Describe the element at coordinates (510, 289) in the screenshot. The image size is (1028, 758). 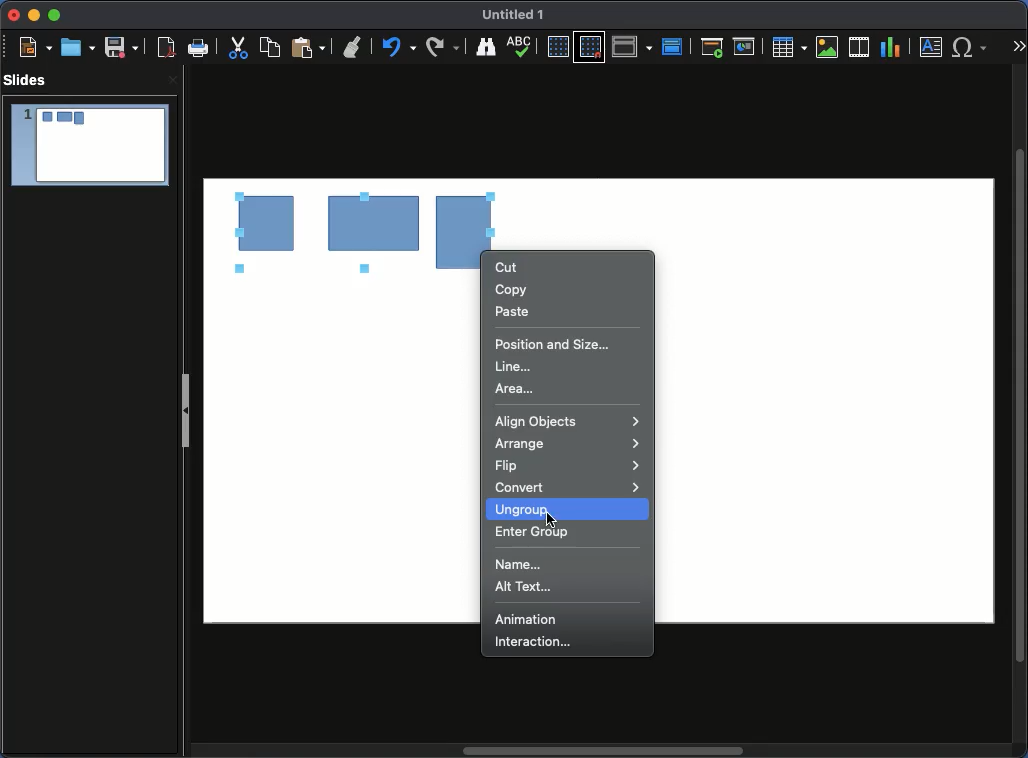
I see `Copy` at that location.